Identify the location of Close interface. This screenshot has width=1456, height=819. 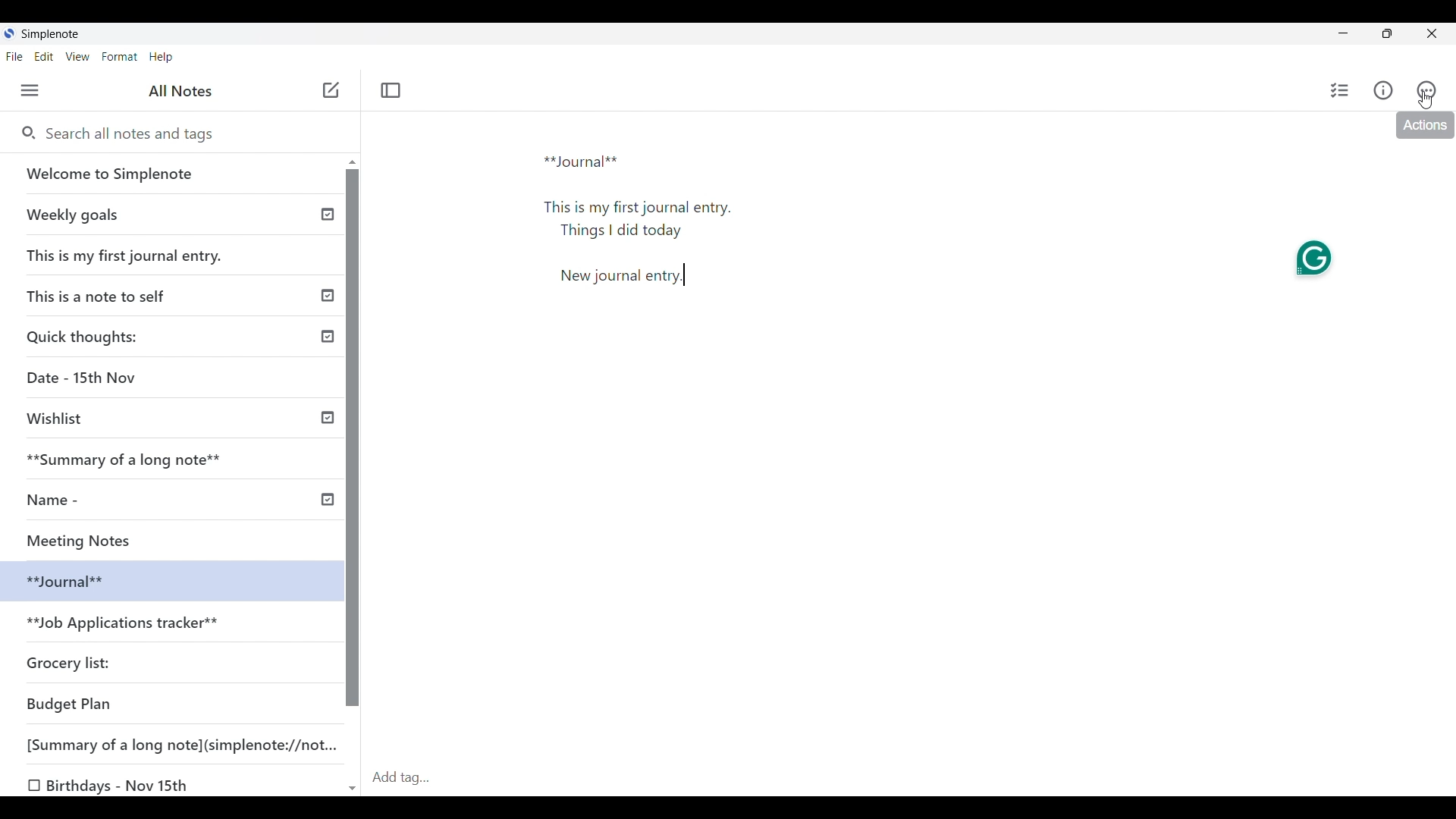
(1431, 33).